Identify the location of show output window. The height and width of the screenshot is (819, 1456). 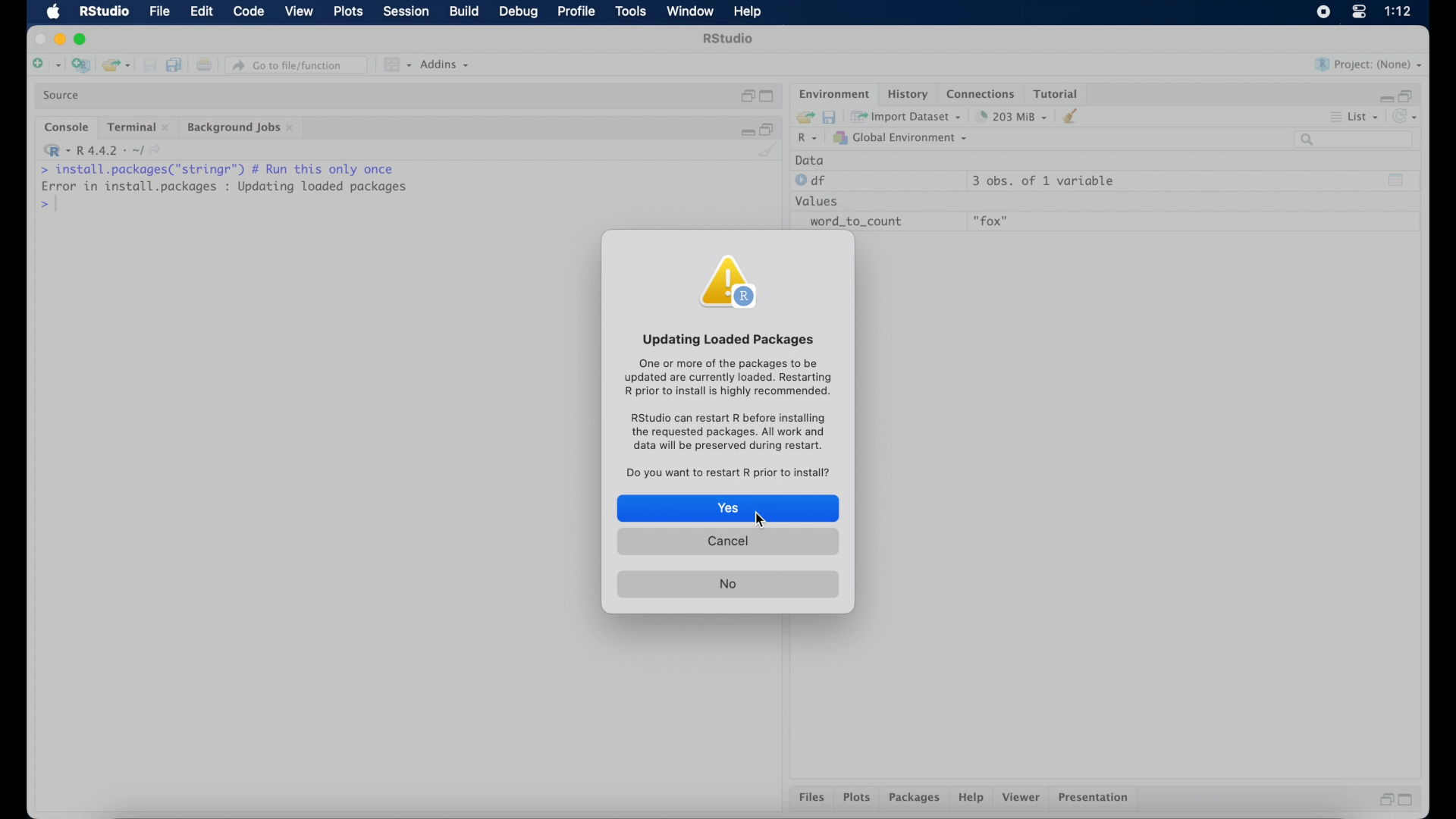
(1397, 180).